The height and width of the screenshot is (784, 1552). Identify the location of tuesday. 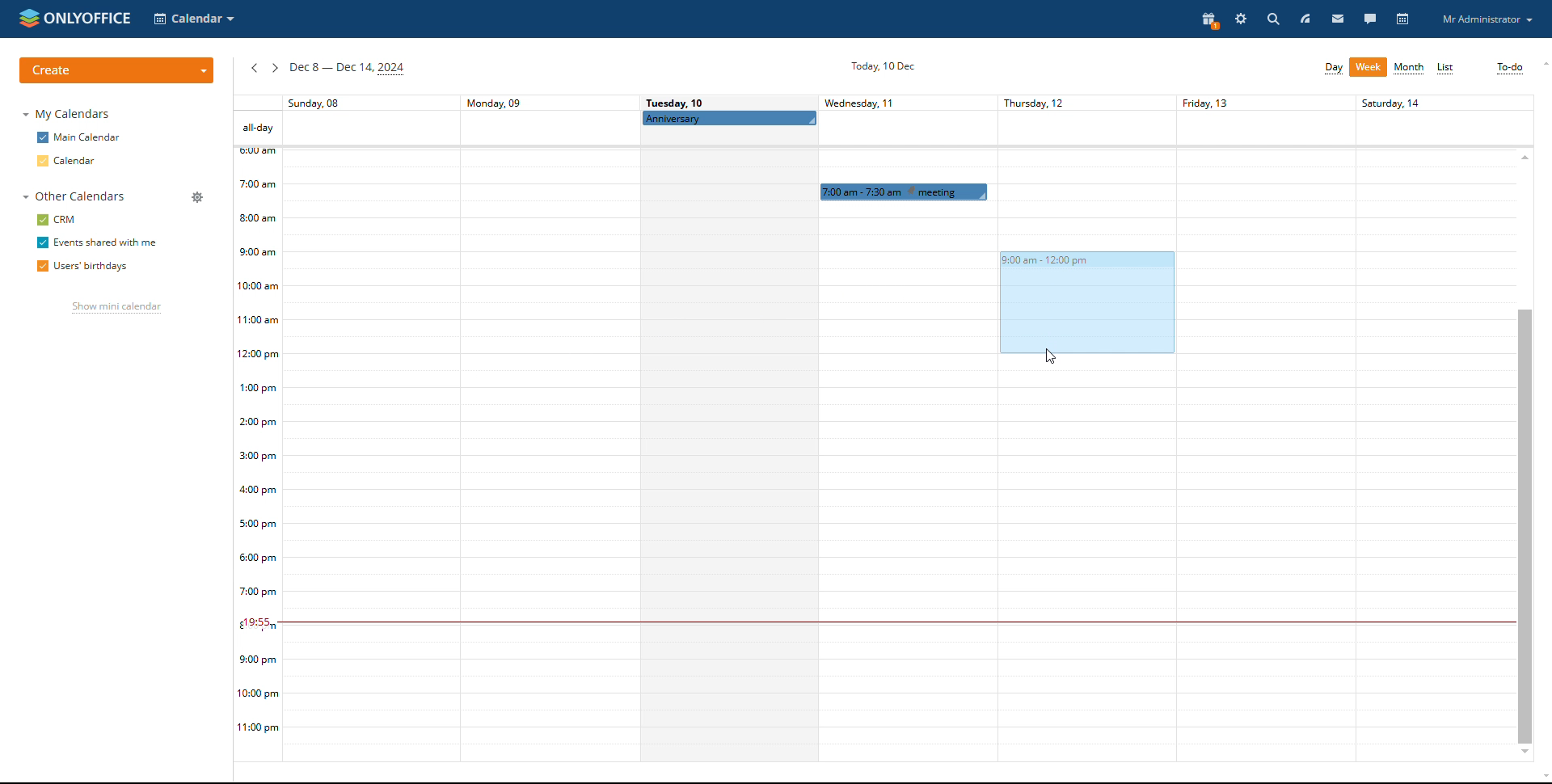
(727, 446).